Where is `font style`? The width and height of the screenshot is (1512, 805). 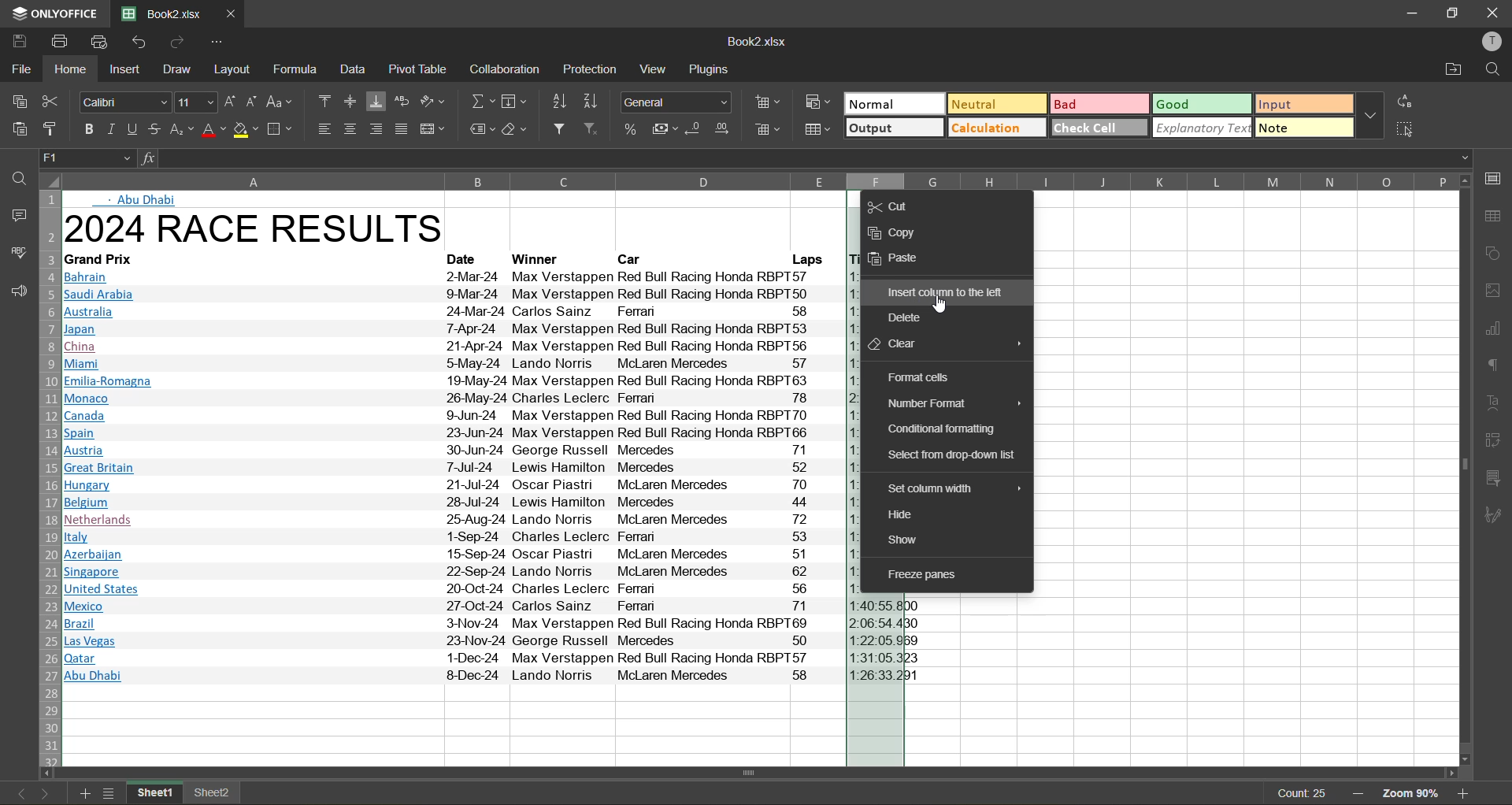
font style is located at coordinates (124, 102).